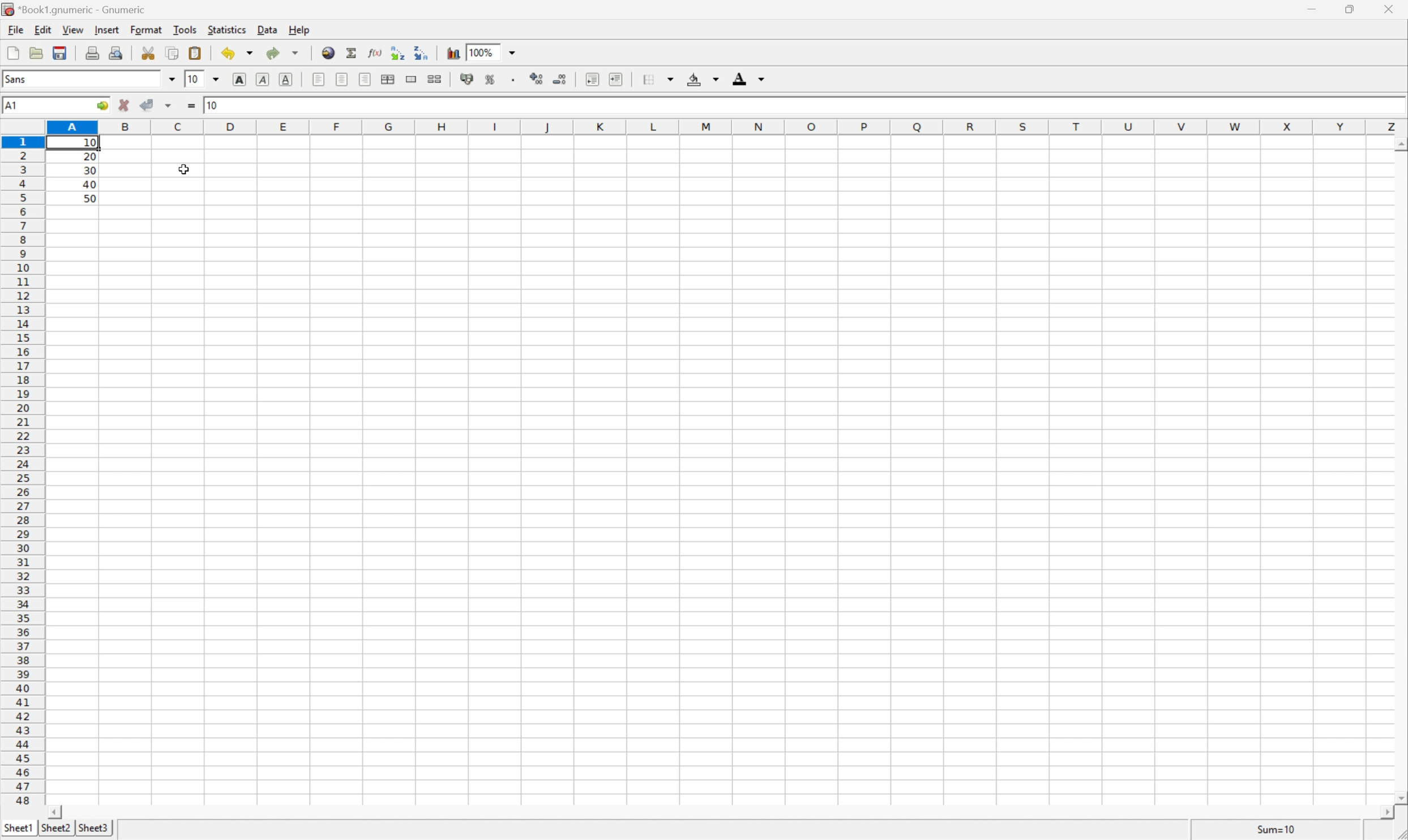 The height and width of the screenshot is (840, 1408). I want to click on cancel change, so click(124, 107).